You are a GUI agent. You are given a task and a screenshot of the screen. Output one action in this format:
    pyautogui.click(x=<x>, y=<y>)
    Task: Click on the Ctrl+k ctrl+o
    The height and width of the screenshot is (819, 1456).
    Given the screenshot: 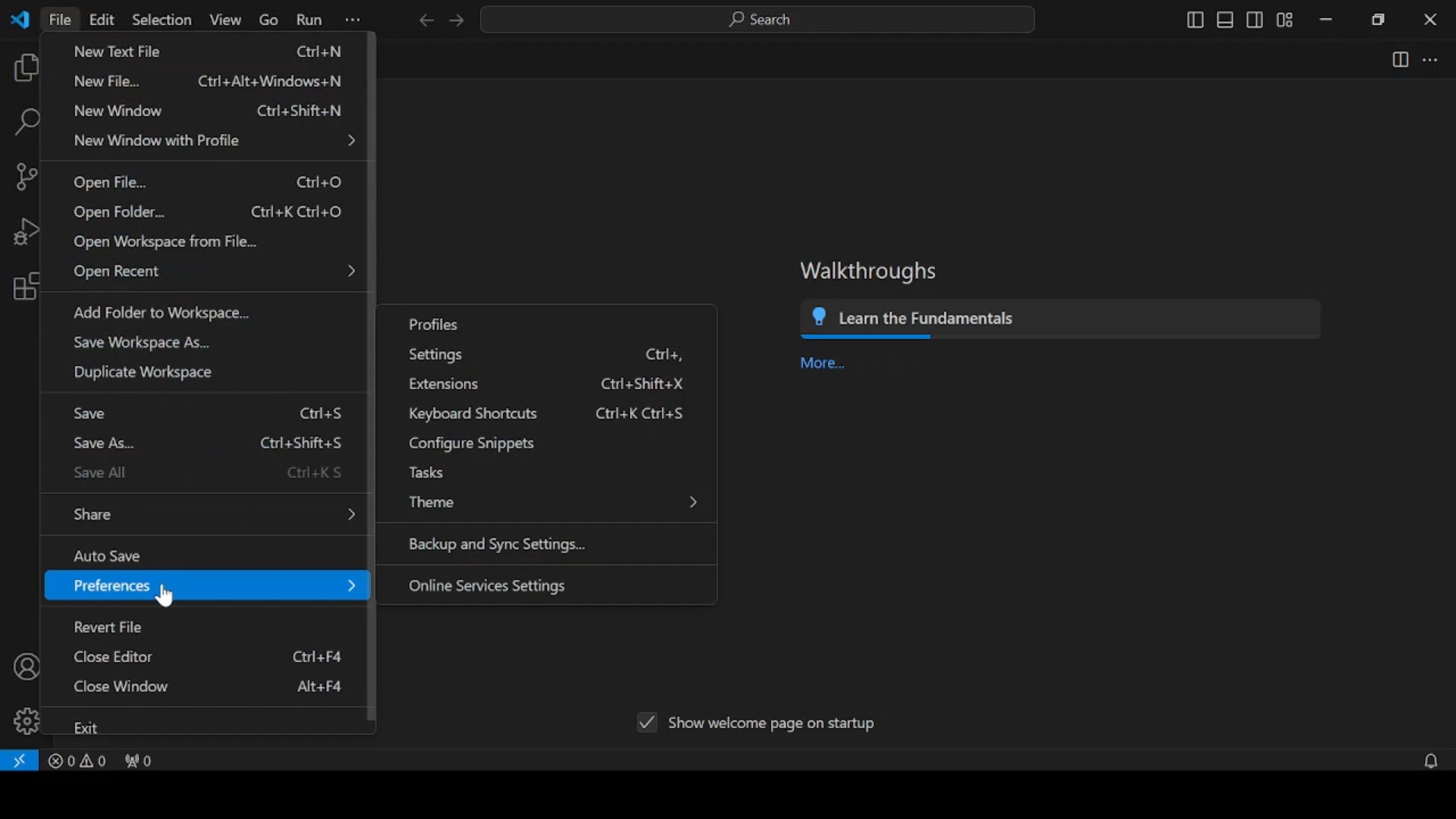 What is the action you would take?
    pyautogui.click(x=298, y=212)
    